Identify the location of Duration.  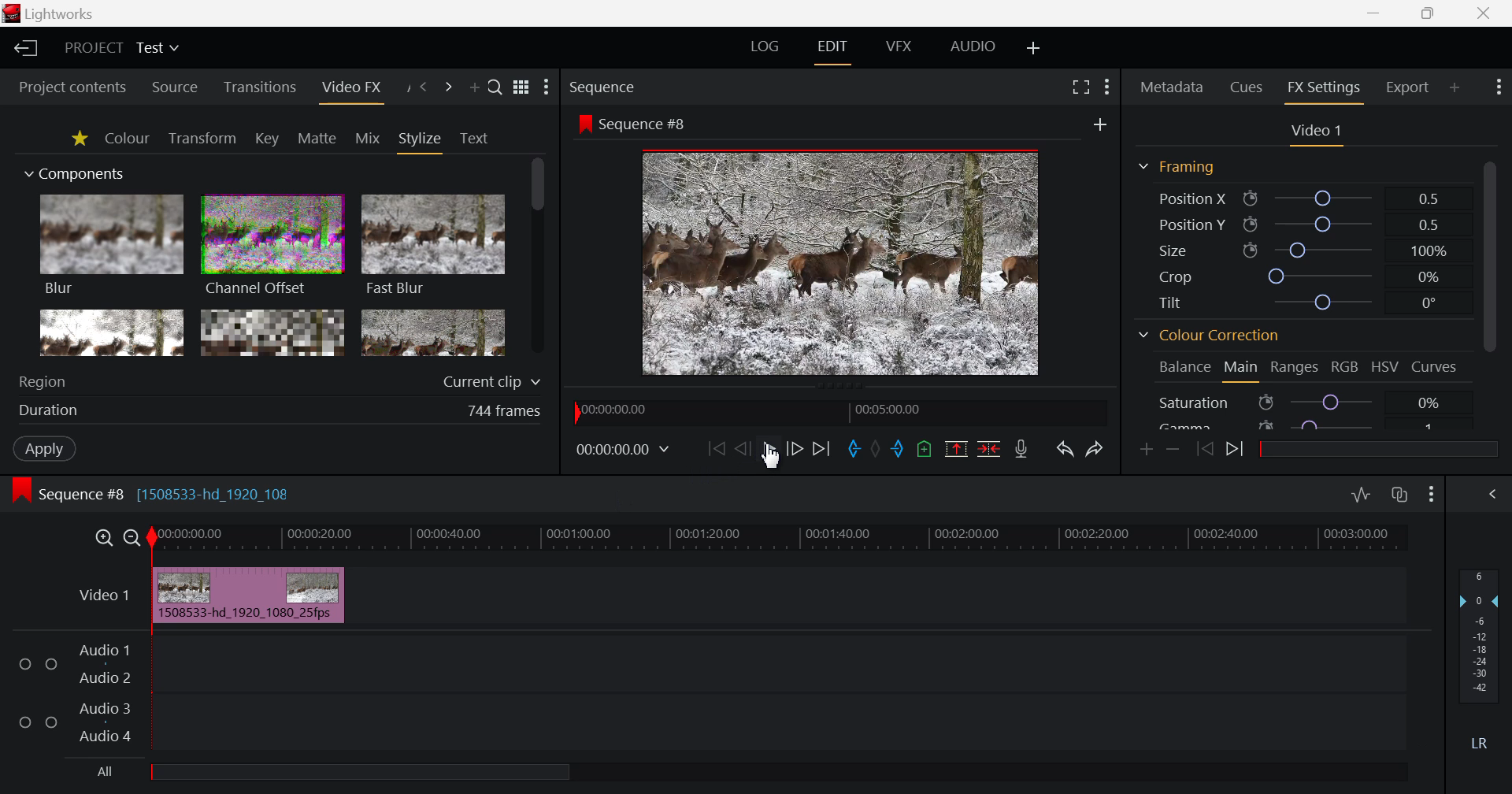
(282, 410).